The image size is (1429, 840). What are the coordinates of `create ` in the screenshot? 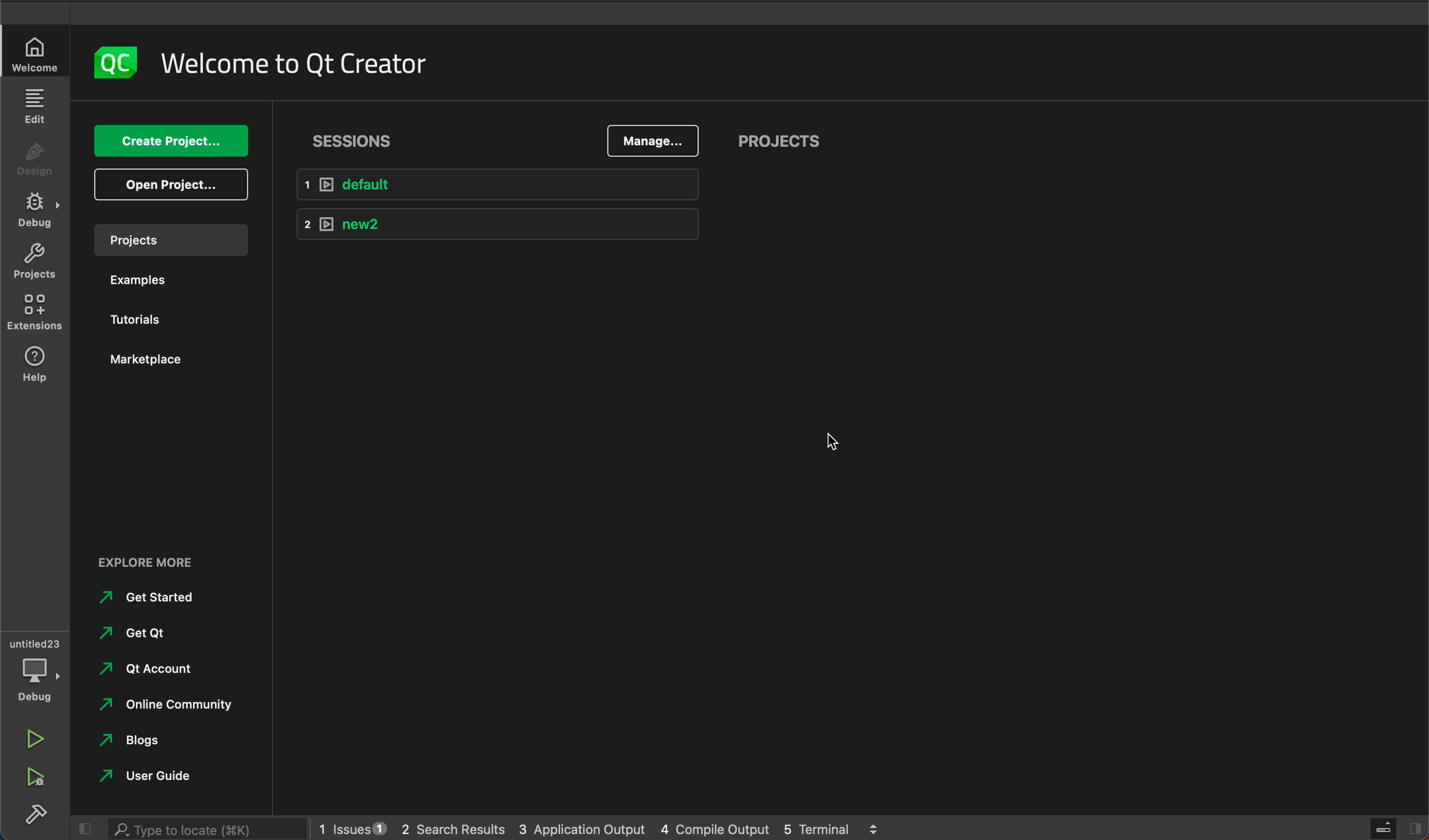 It's located at (170, 142).